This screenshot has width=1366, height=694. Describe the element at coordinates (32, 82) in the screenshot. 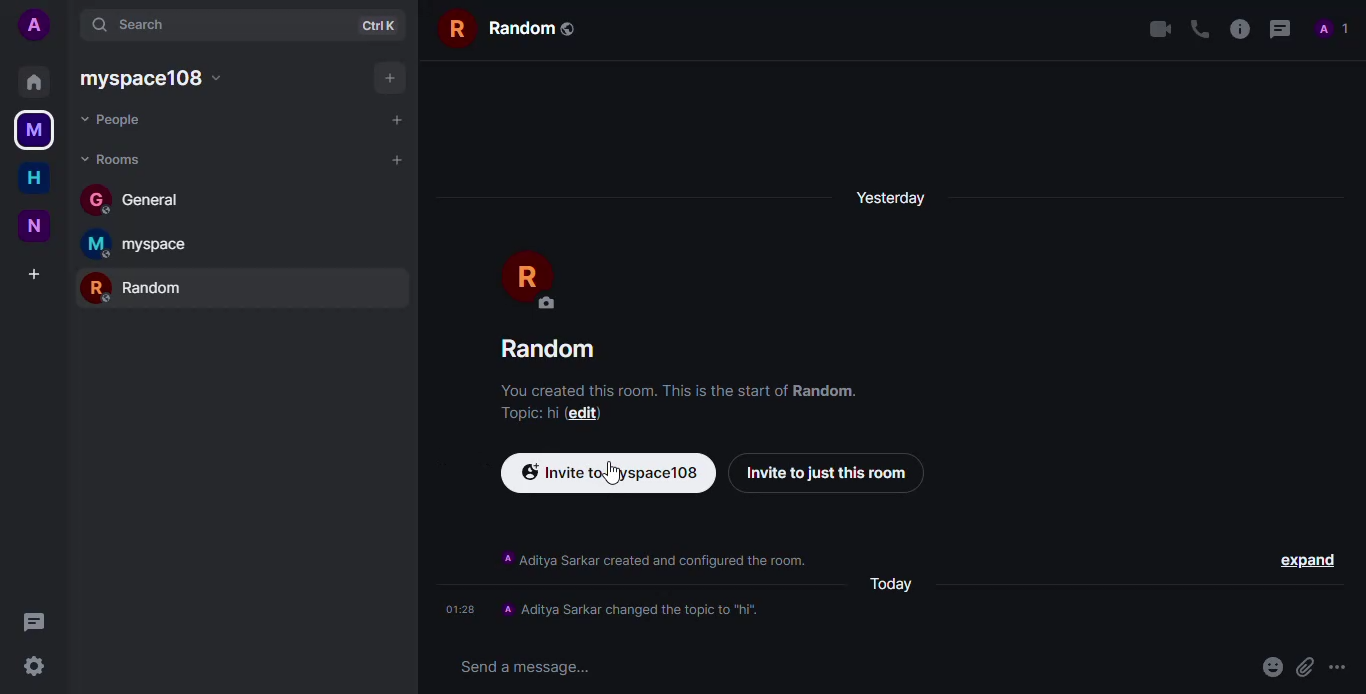

I see `home` at that location.